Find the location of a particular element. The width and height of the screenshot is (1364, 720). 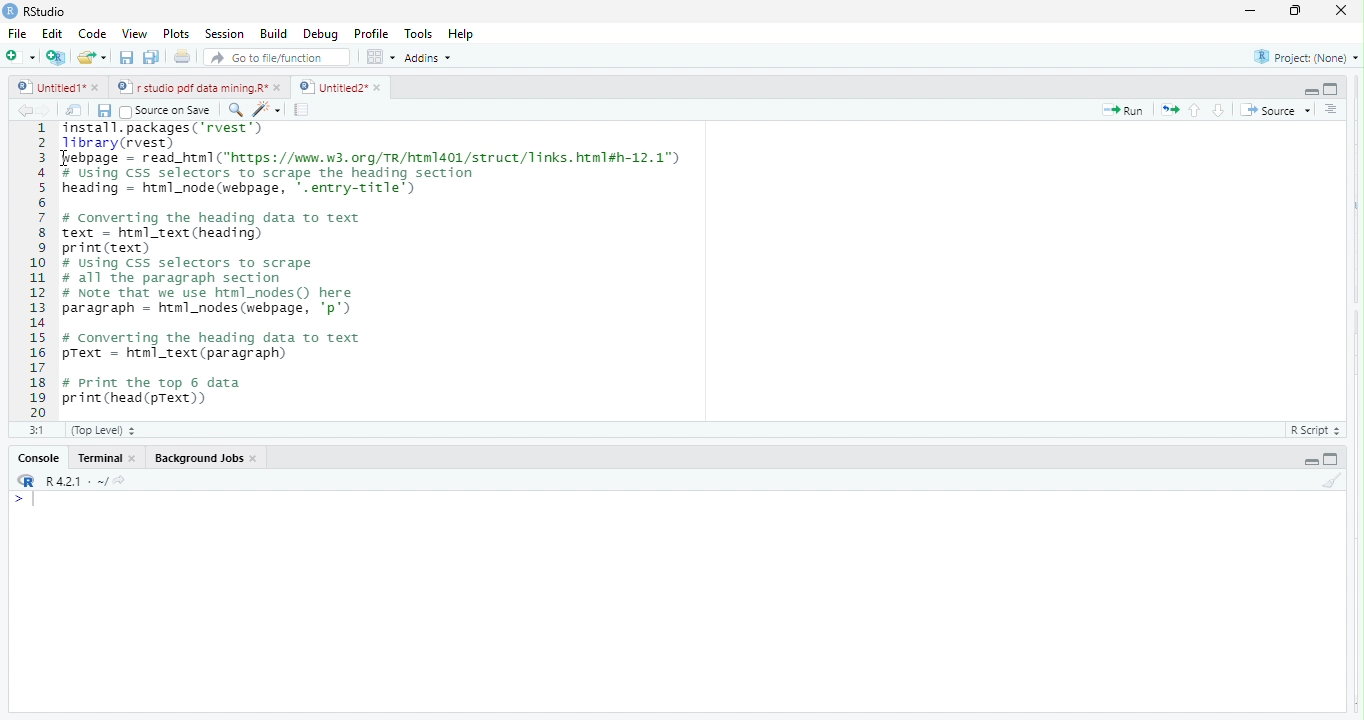

Console is located at coordinates (38, 459).